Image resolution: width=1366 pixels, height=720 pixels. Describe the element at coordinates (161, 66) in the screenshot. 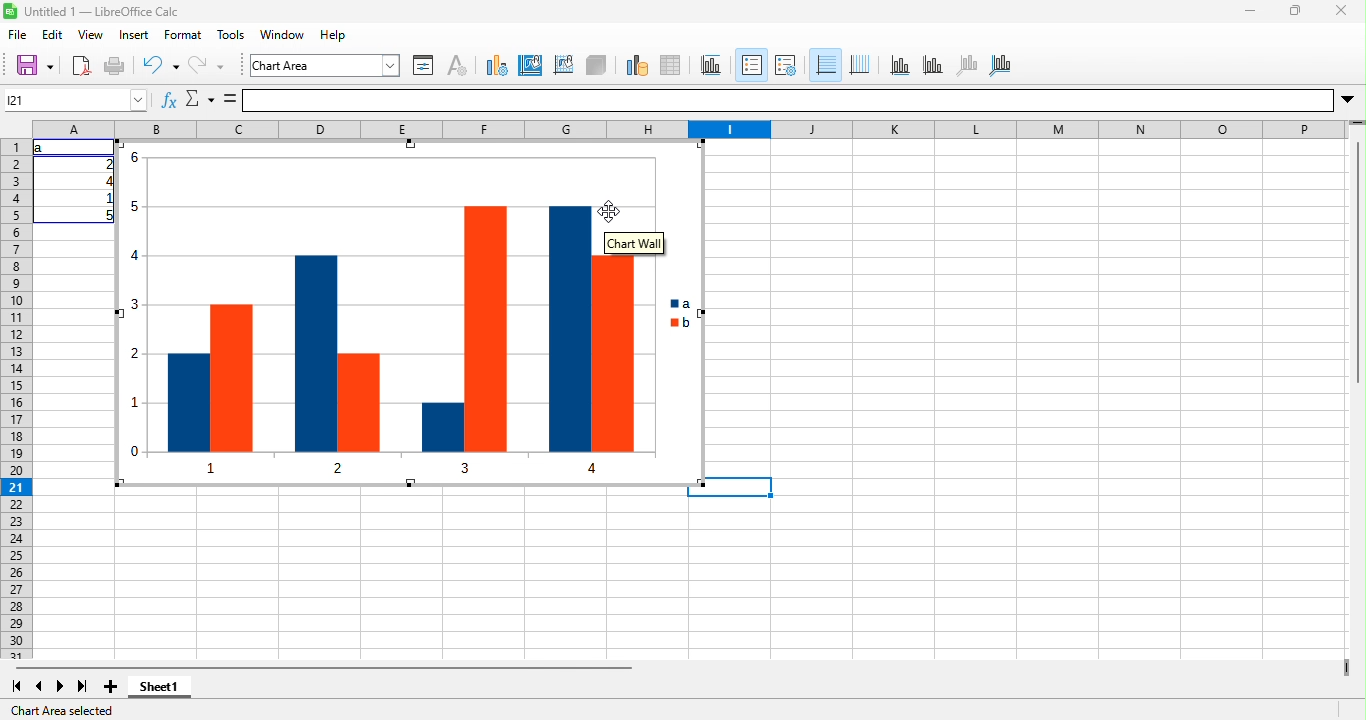

I see `undo` at that location.